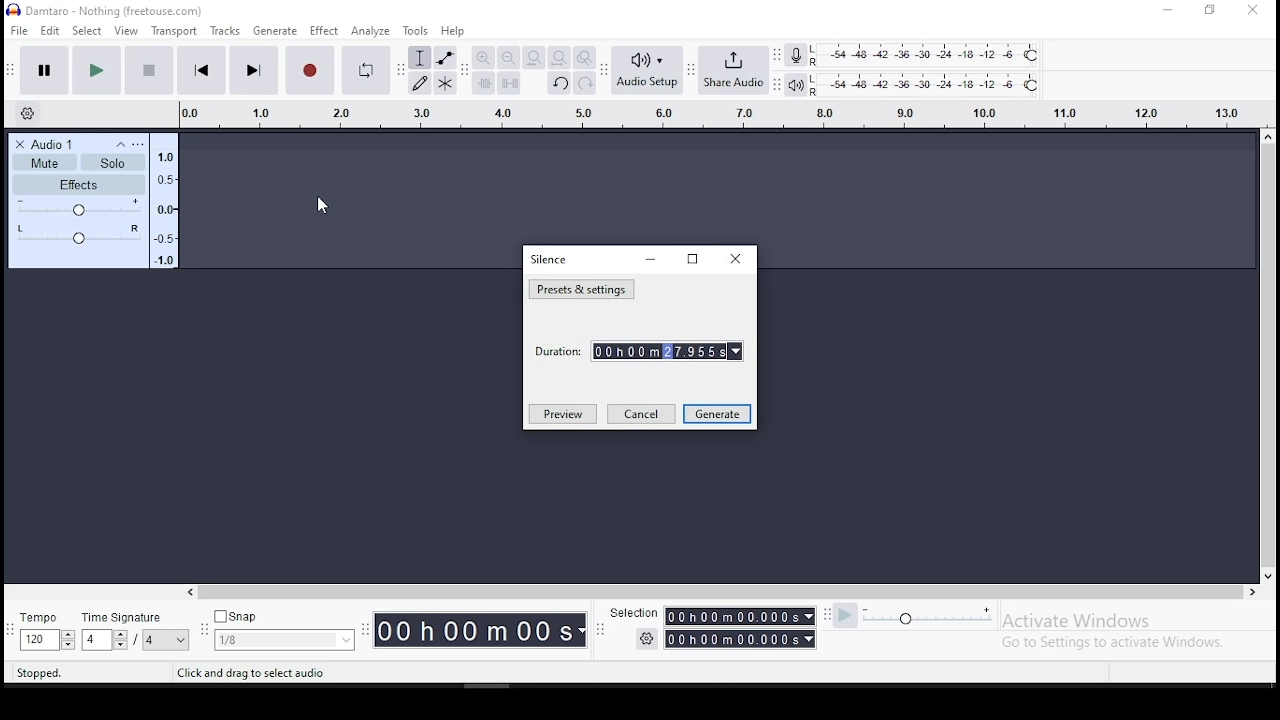 This screenshot has width=1280, height=720. Describe the element at coordinates (37, 631) in the screenshot. I see `tempo` at that location.